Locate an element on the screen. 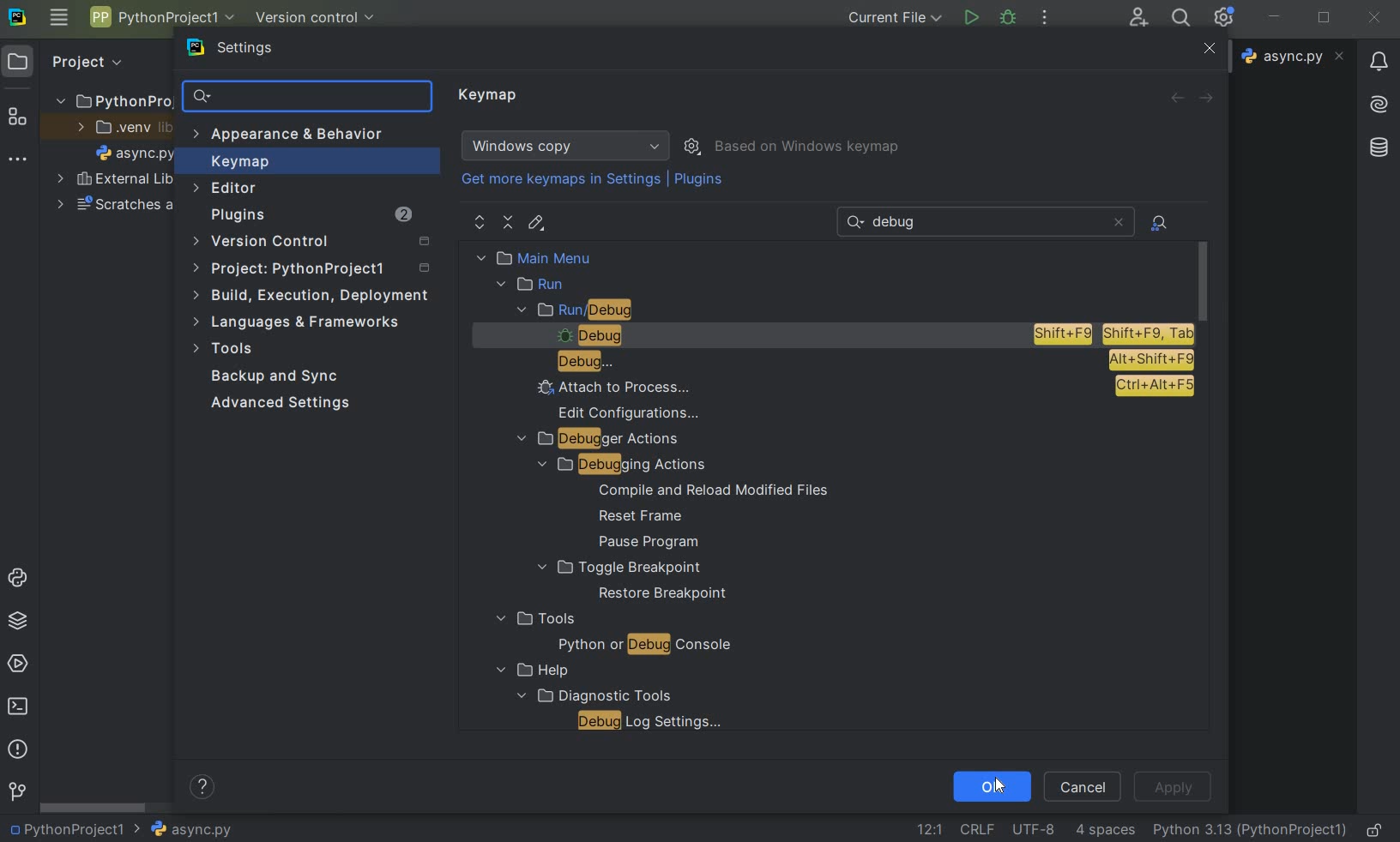 The width and height of the screenshot is (1400, 842). reset frame is located at coordinates (636, 517).